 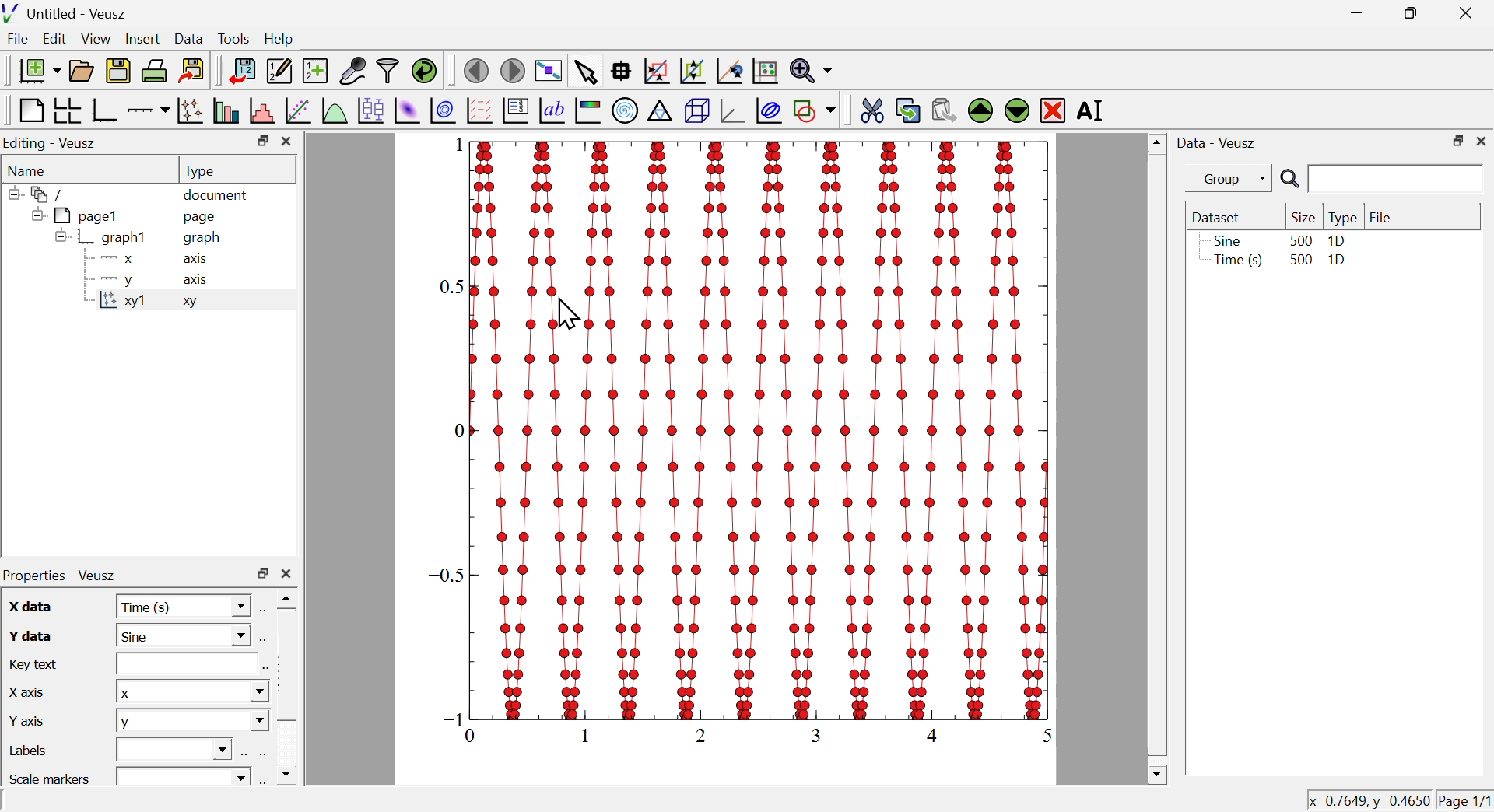 What do you see at coordinates (479, 110) in the screenshot?
I see `plot a vector field` at bounding box center [479, 110].